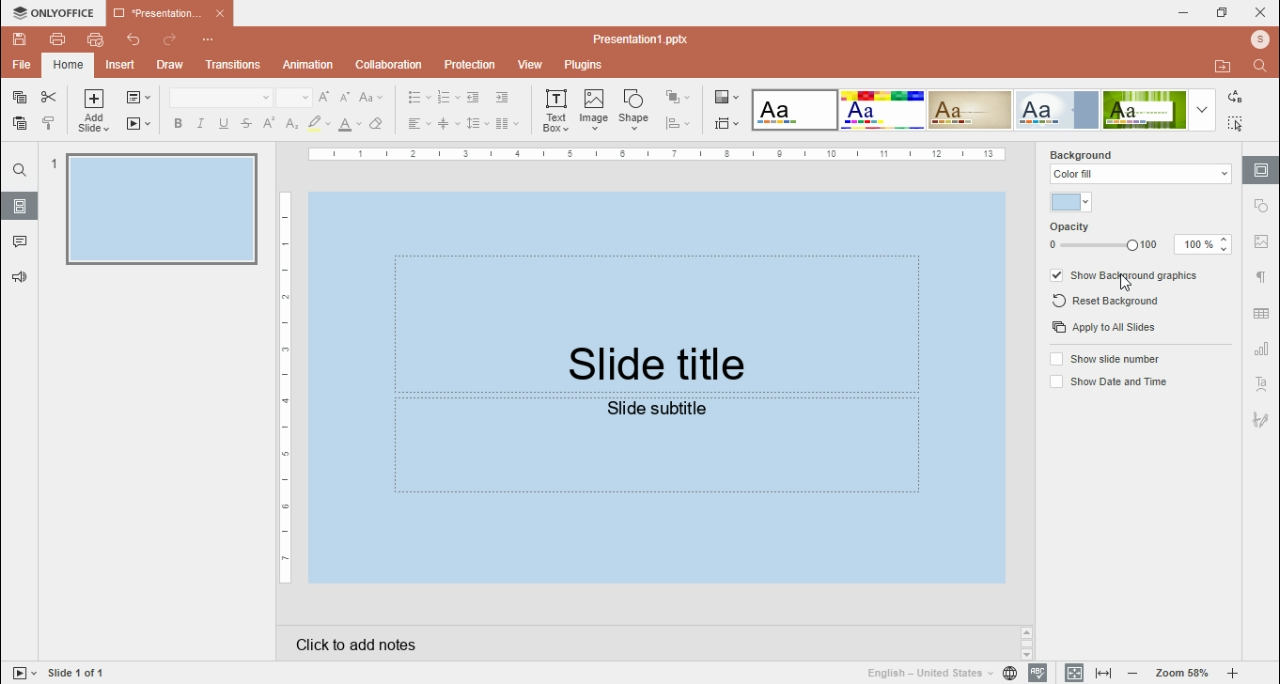 The width and height of the screenshot is (1280, 684). I want to click on home, so click(66, 66).